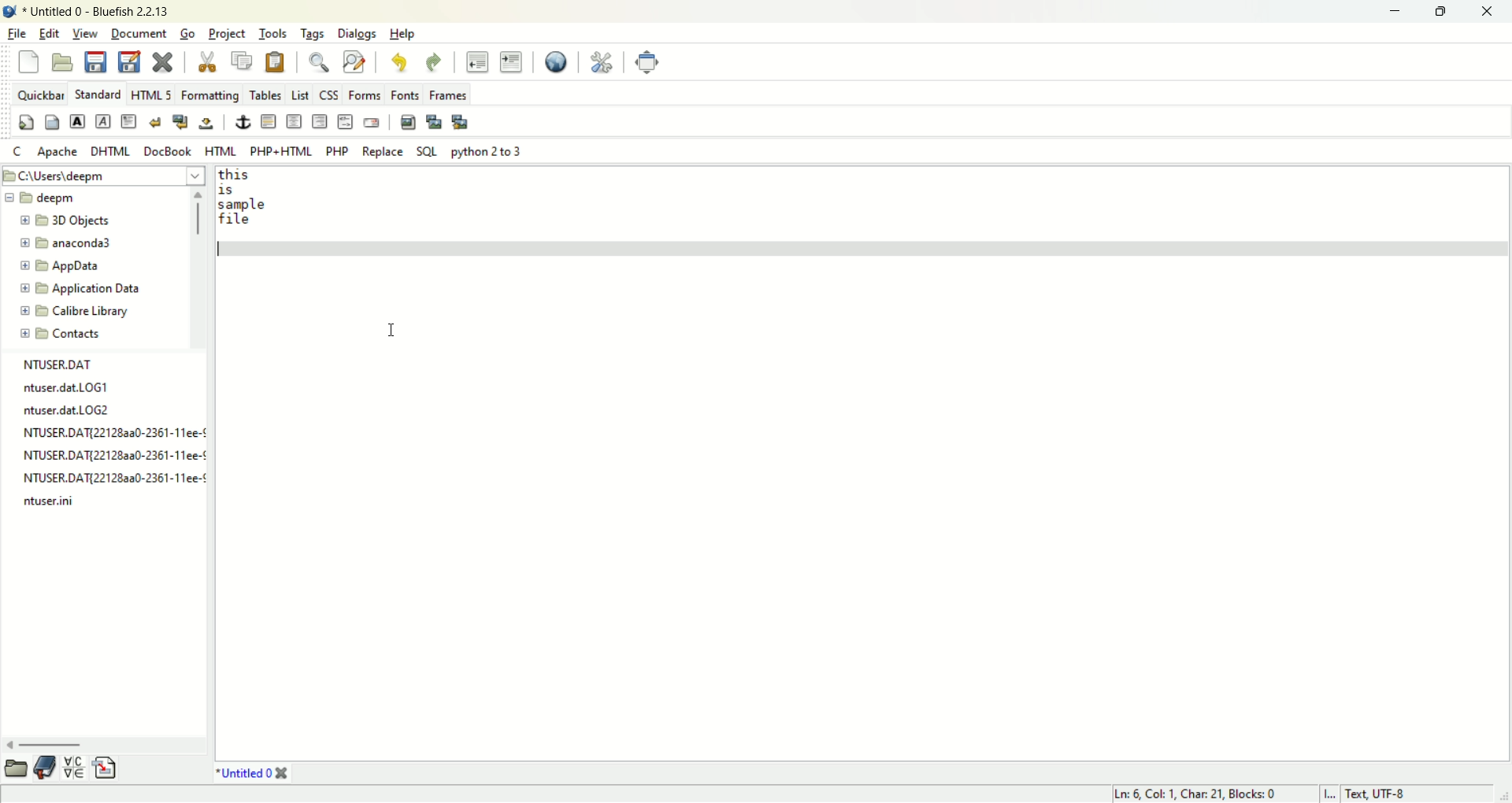  What do you see at coordinates (553, 60) in the screenshot?
I see `preview in browser` at bounding box center [553, 60].